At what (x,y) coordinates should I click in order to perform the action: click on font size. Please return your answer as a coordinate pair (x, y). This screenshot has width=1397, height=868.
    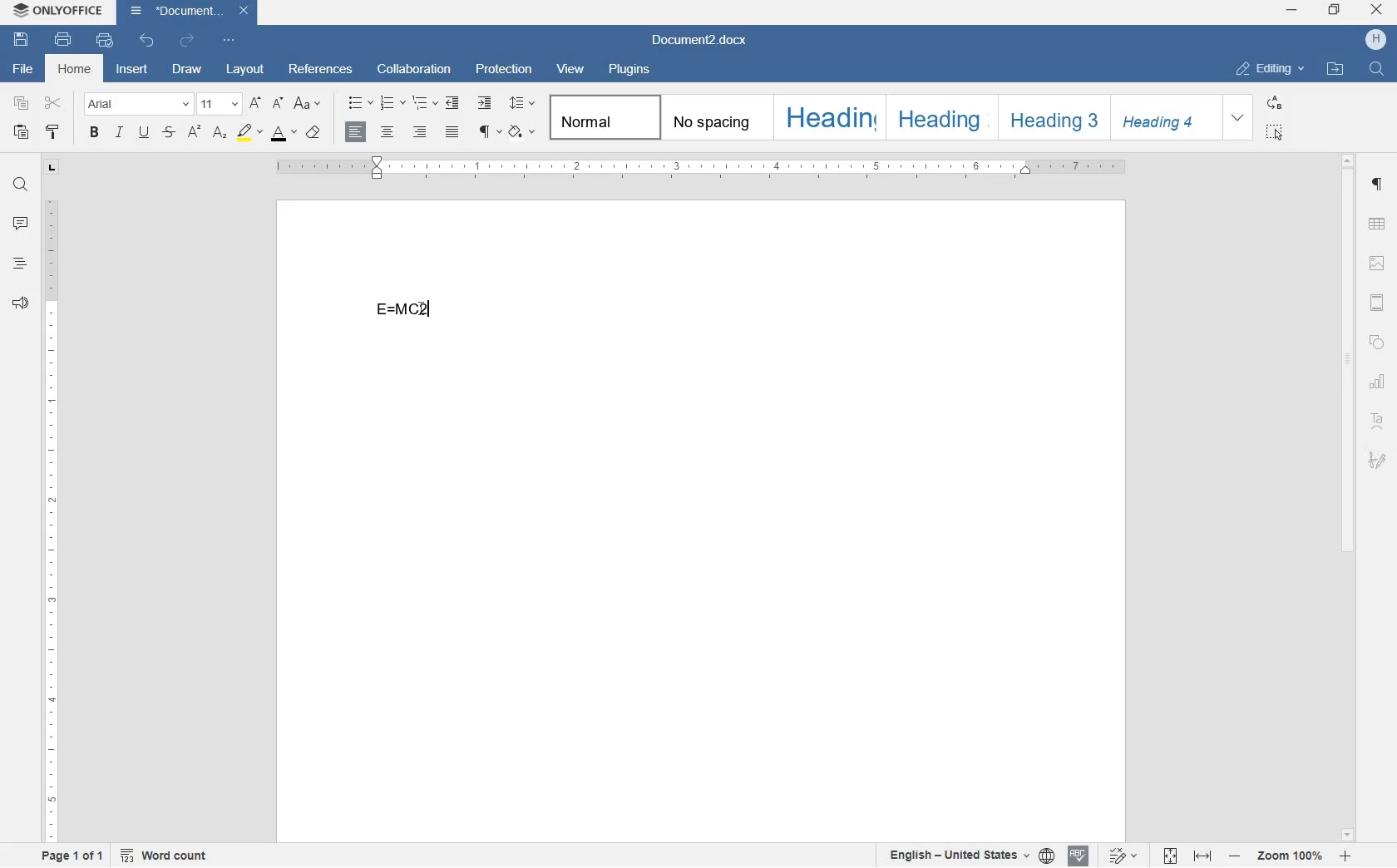
    Looking at the image, I should click on (220, 104).